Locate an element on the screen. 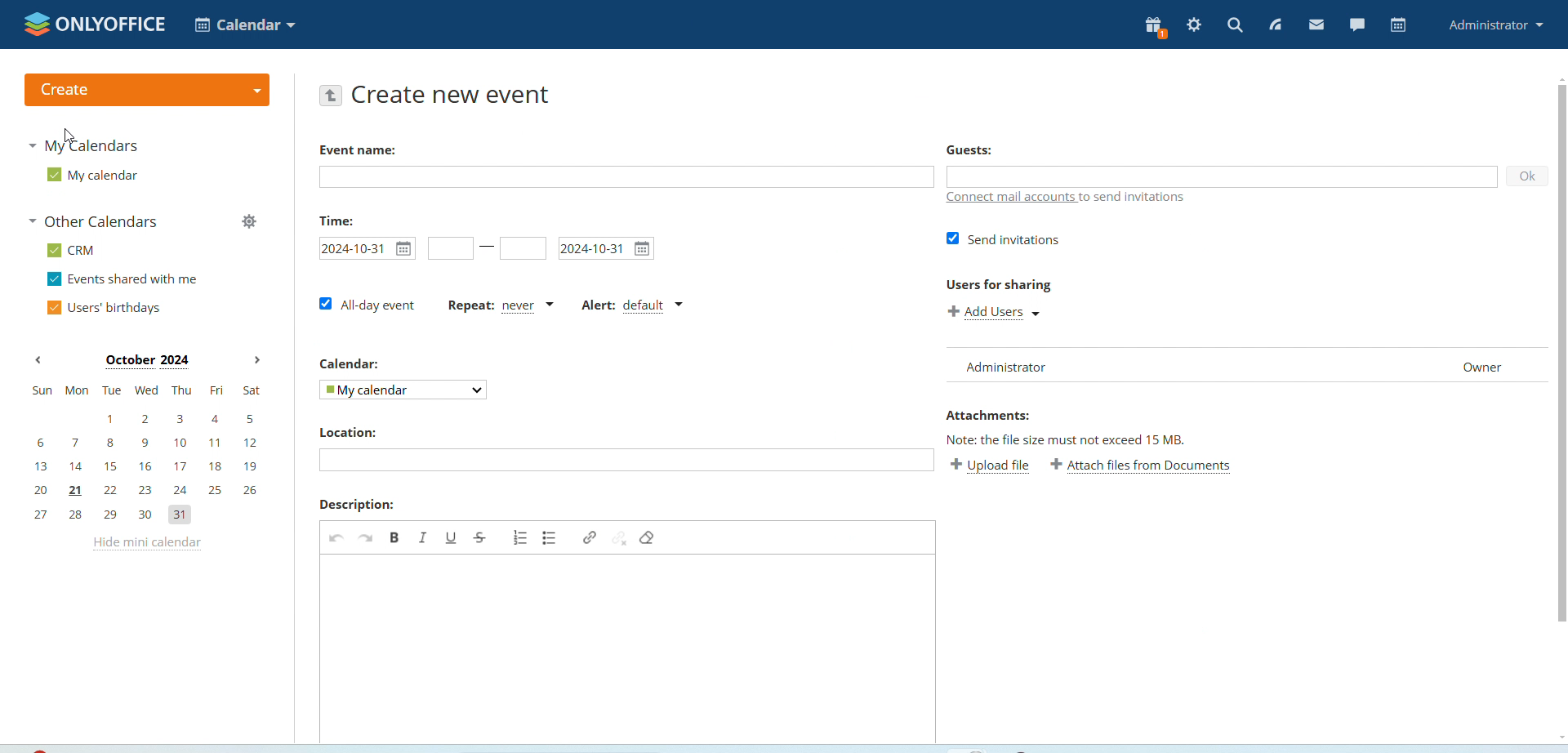  2024-10-31 is located at coordinates (367, 247).